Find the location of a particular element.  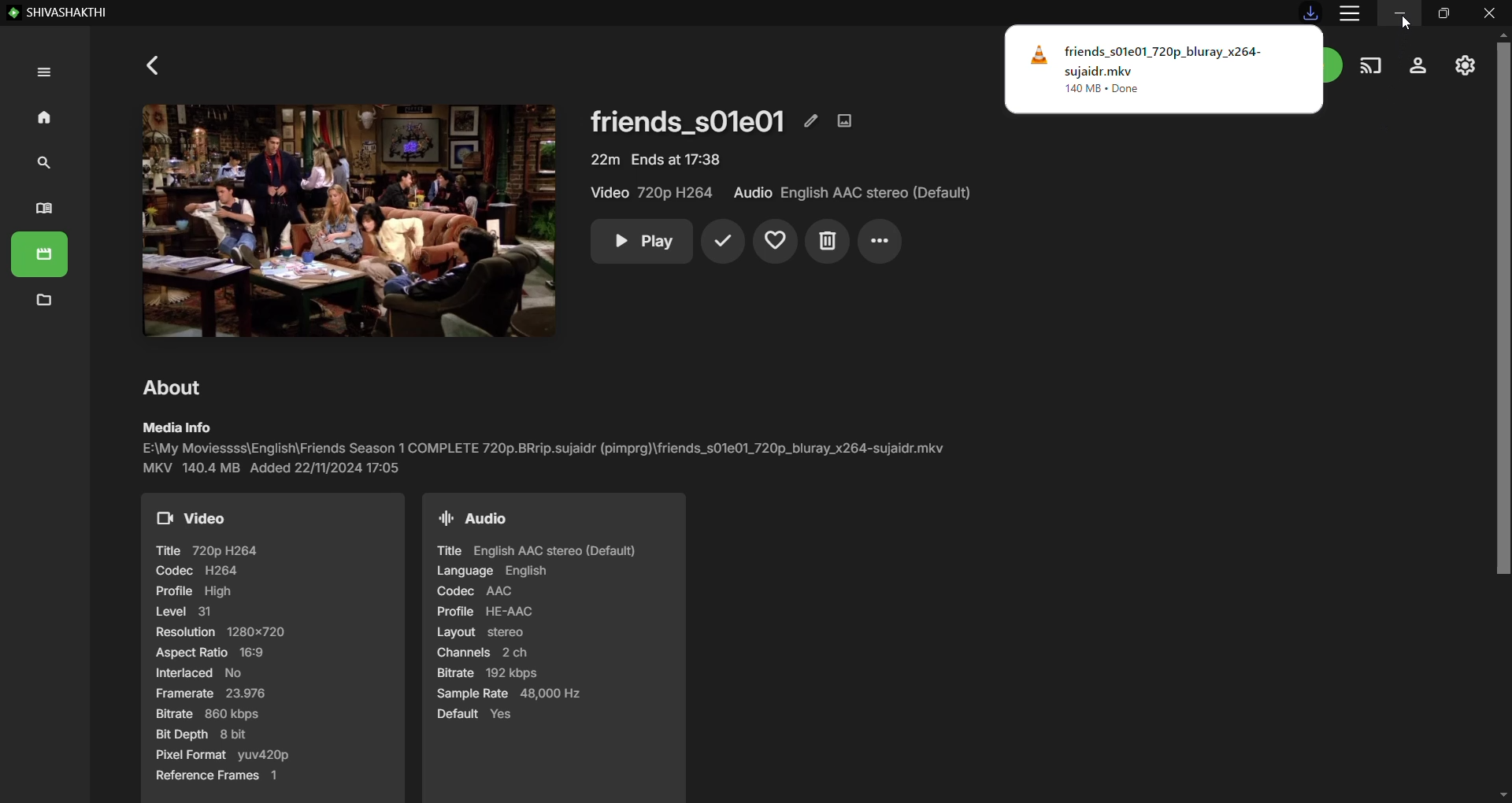

Downloads is located at coordinates (1311, 12).